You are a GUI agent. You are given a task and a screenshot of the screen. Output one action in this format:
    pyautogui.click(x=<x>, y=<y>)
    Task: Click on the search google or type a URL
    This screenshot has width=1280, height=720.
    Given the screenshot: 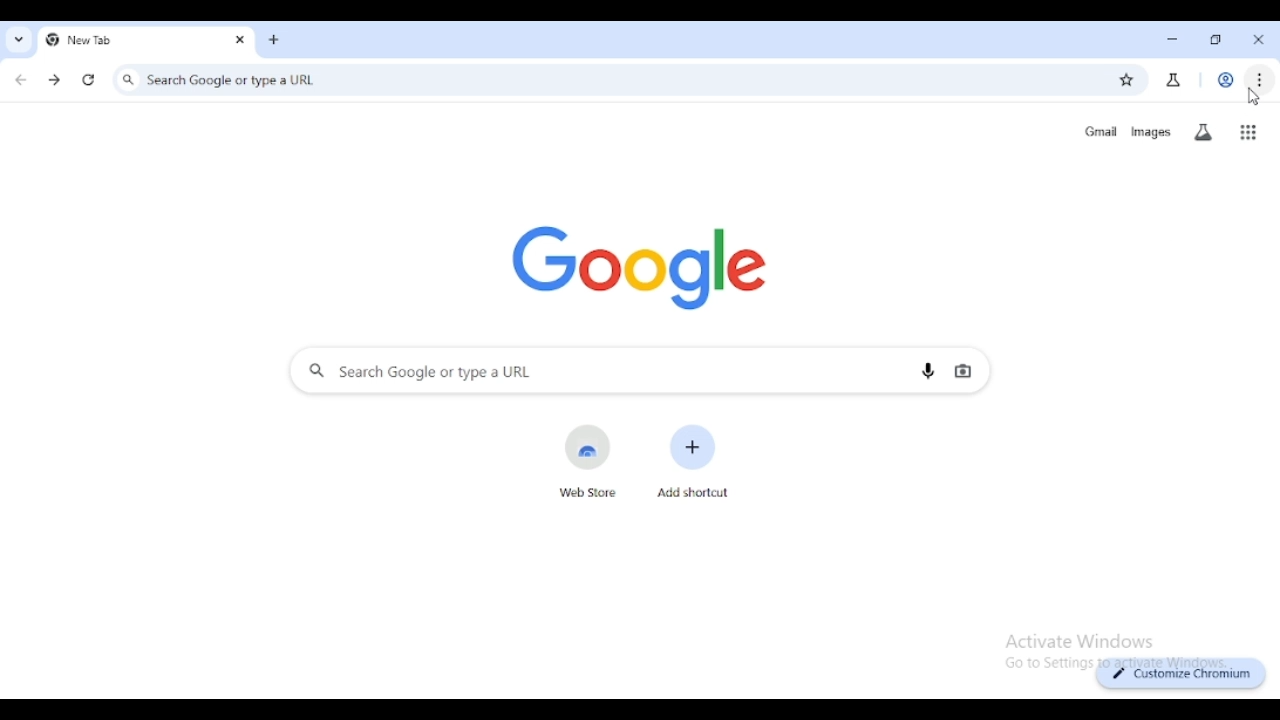 What is the action you would take?
    pyautogui.click(x=587, y=371)
    